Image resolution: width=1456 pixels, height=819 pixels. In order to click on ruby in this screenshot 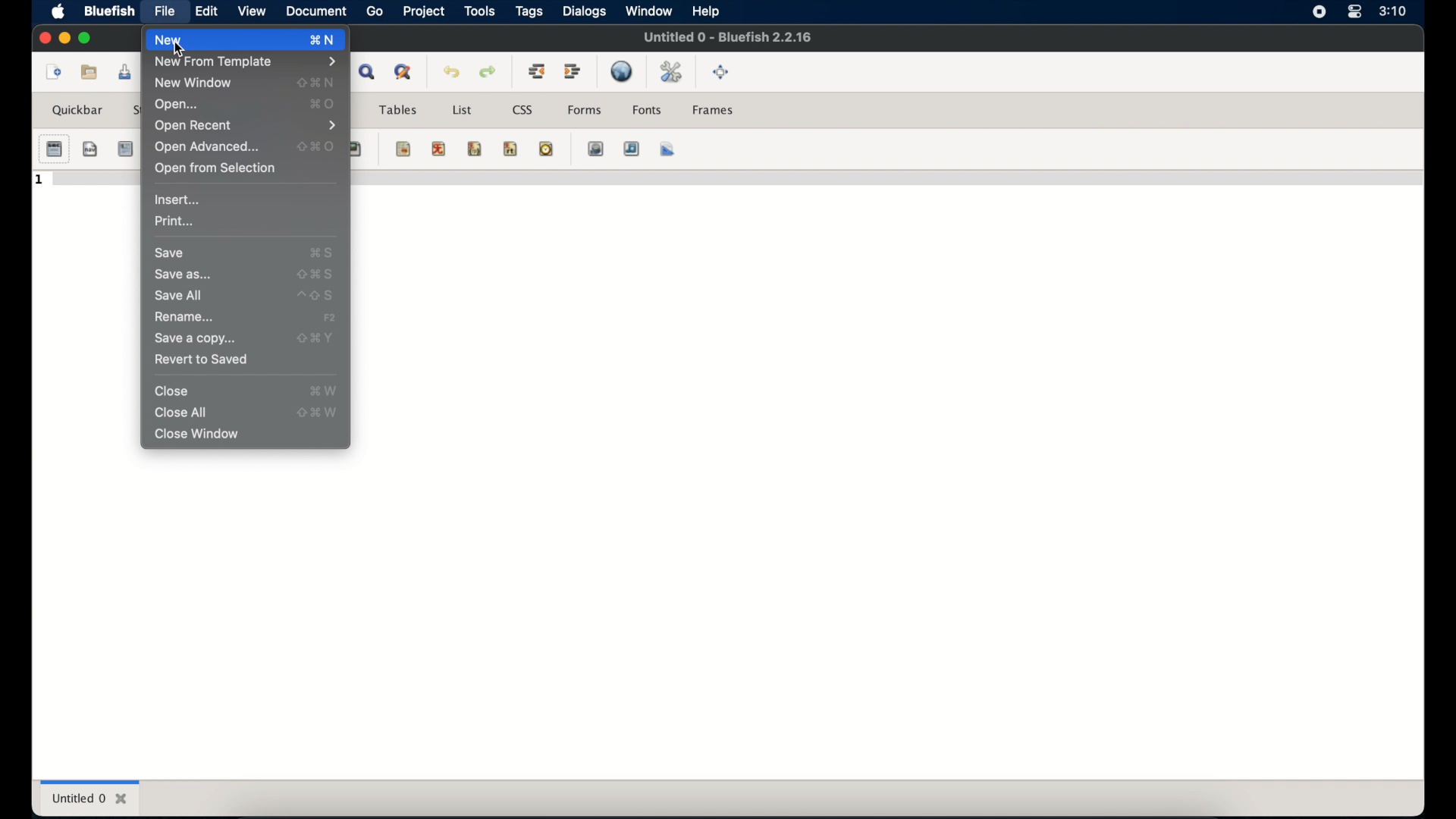, I will do `click(439, 149)`.